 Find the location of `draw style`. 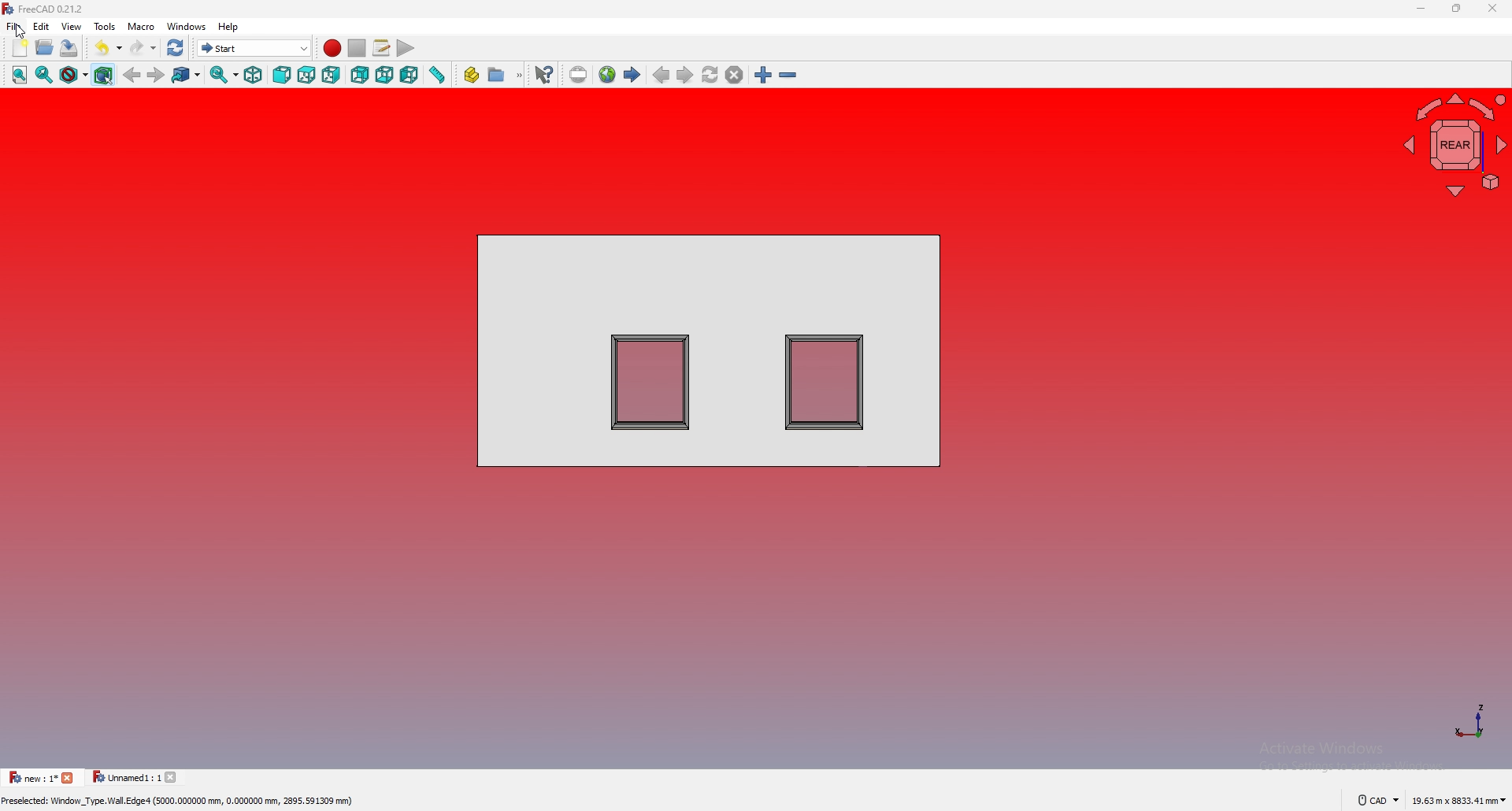

draw style is located at coordinates (74, 75).